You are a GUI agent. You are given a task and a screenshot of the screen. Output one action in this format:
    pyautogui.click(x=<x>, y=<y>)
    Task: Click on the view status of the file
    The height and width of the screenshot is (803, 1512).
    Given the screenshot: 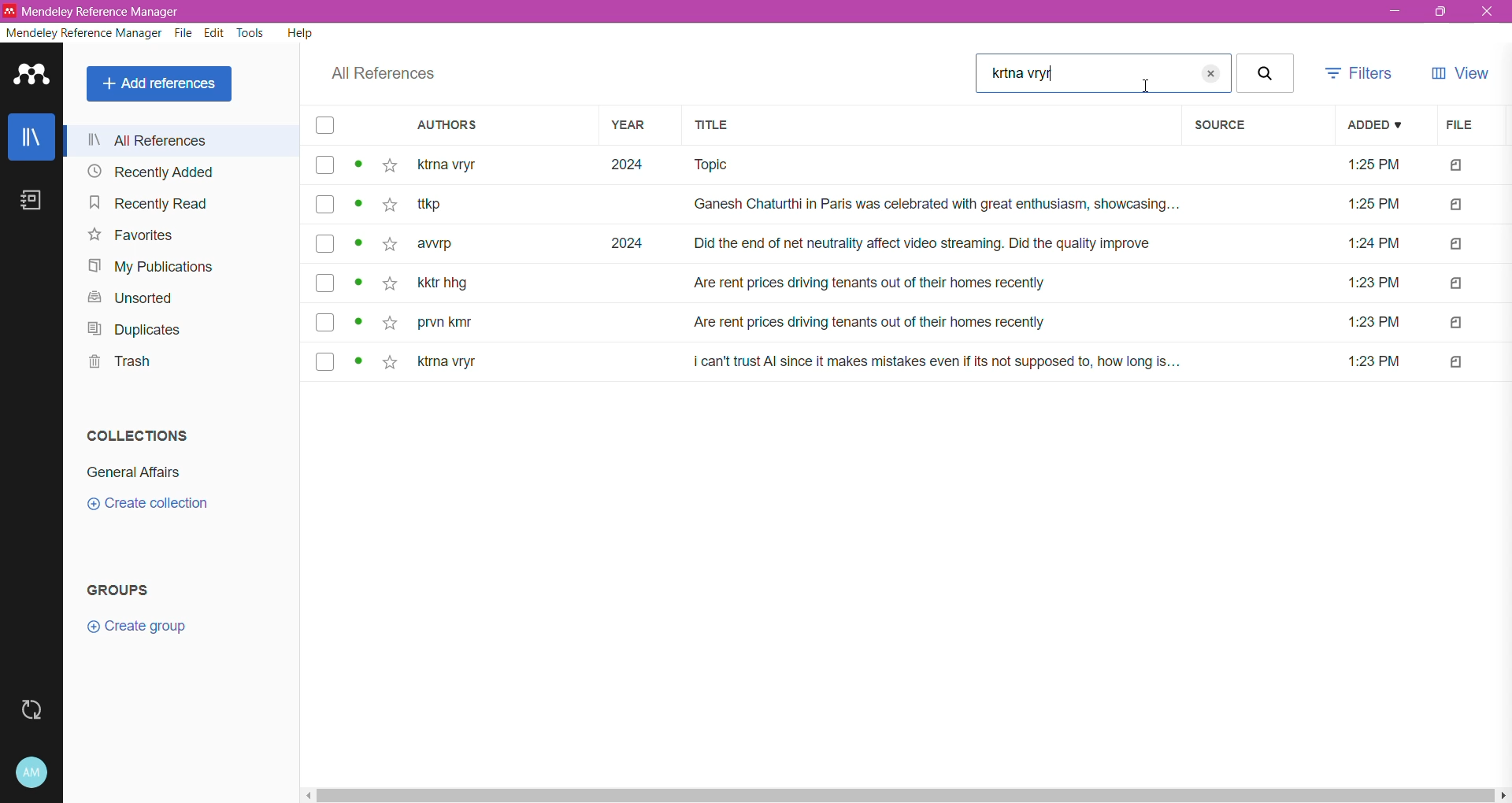 What is the action you would take?
    pyautogui.click(x=359, y=363)
    